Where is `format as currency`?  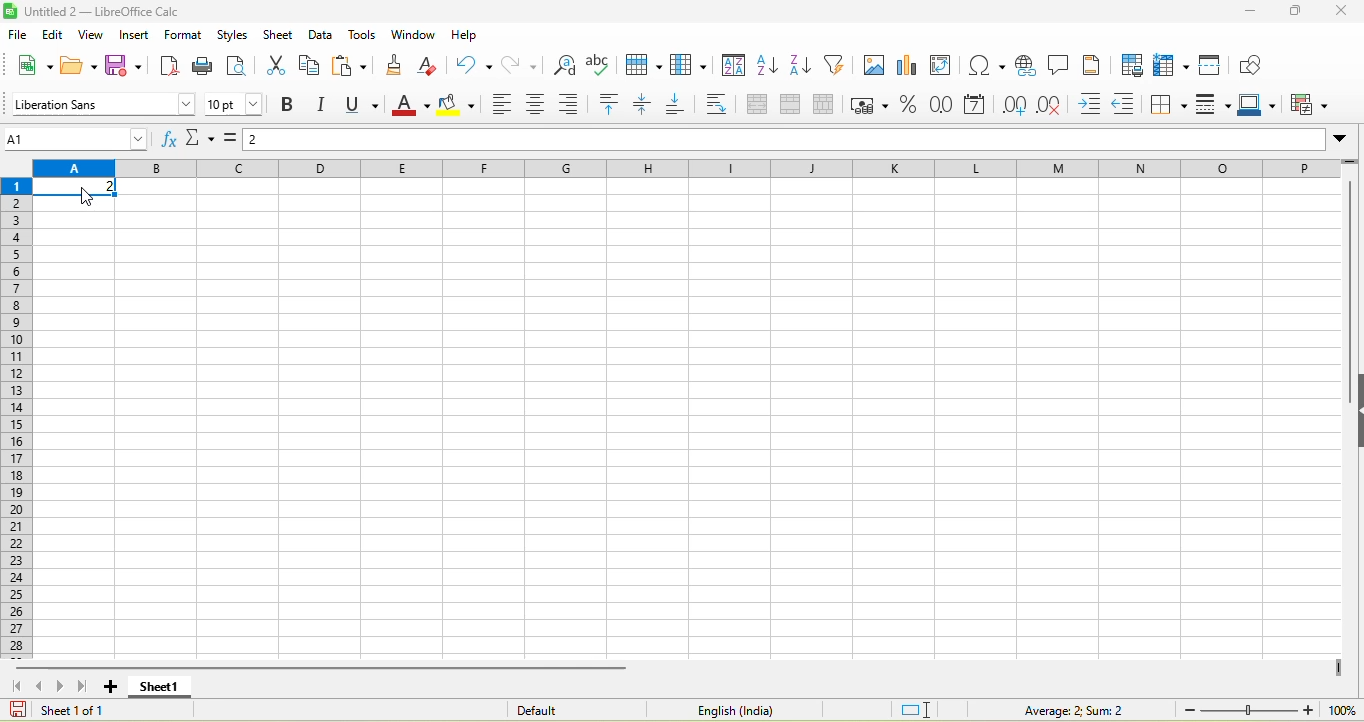 format as currency is located at coordinates (871, 105).